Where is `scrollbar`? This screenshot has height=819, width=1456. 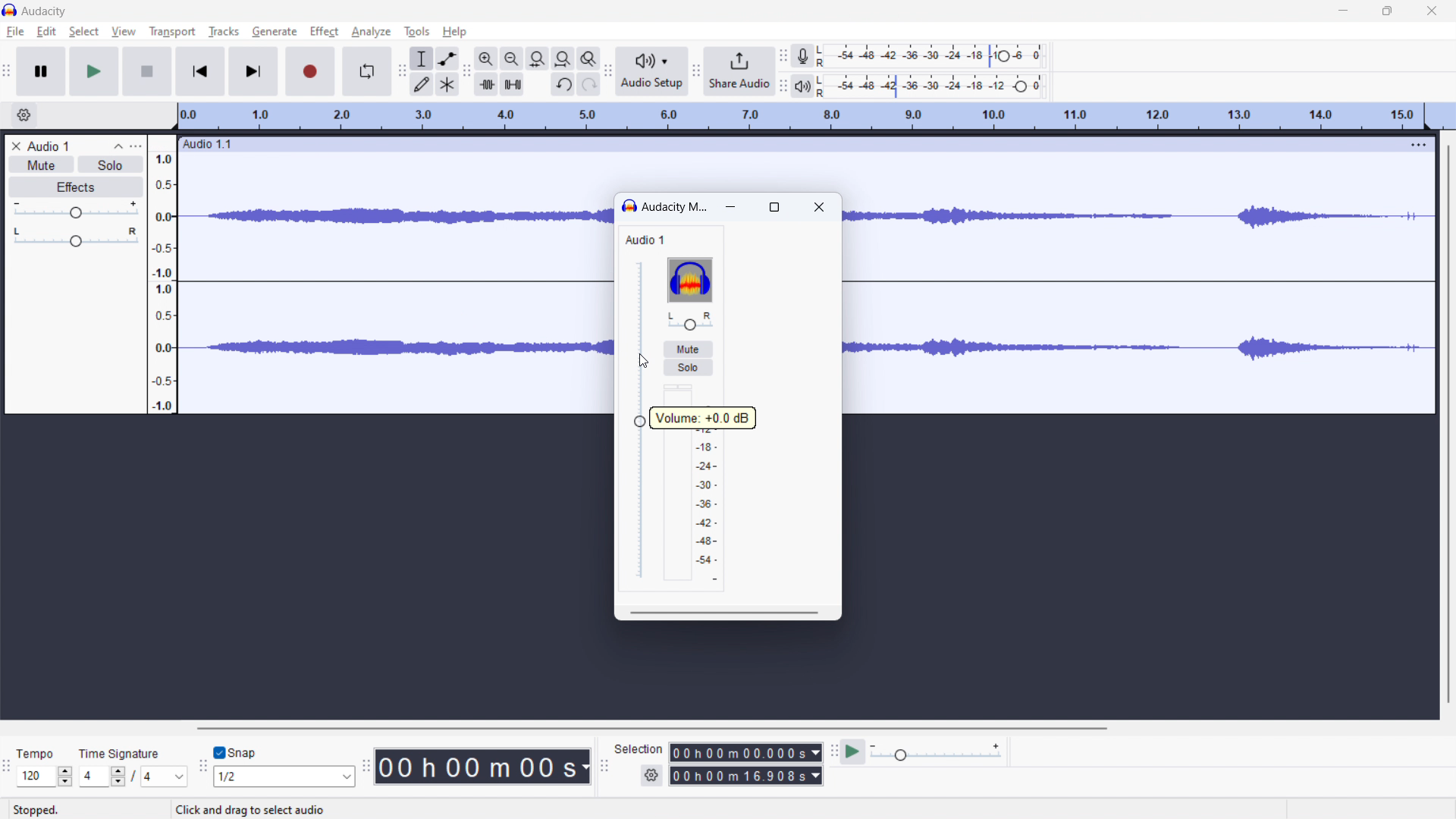 scrollbar is located at coordinates (725, 613).